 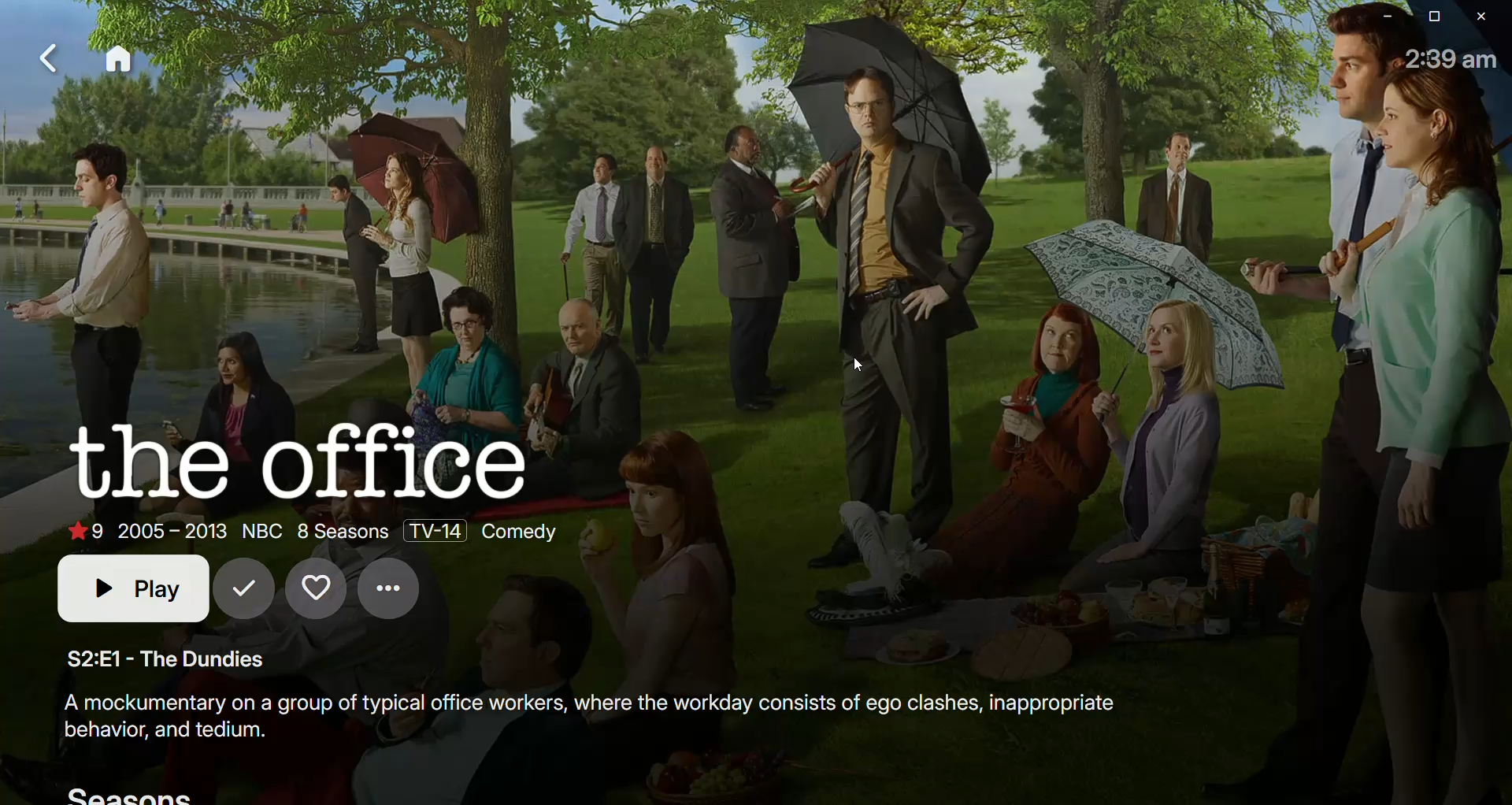 I want to click on Back, so click(x=52, y=59).